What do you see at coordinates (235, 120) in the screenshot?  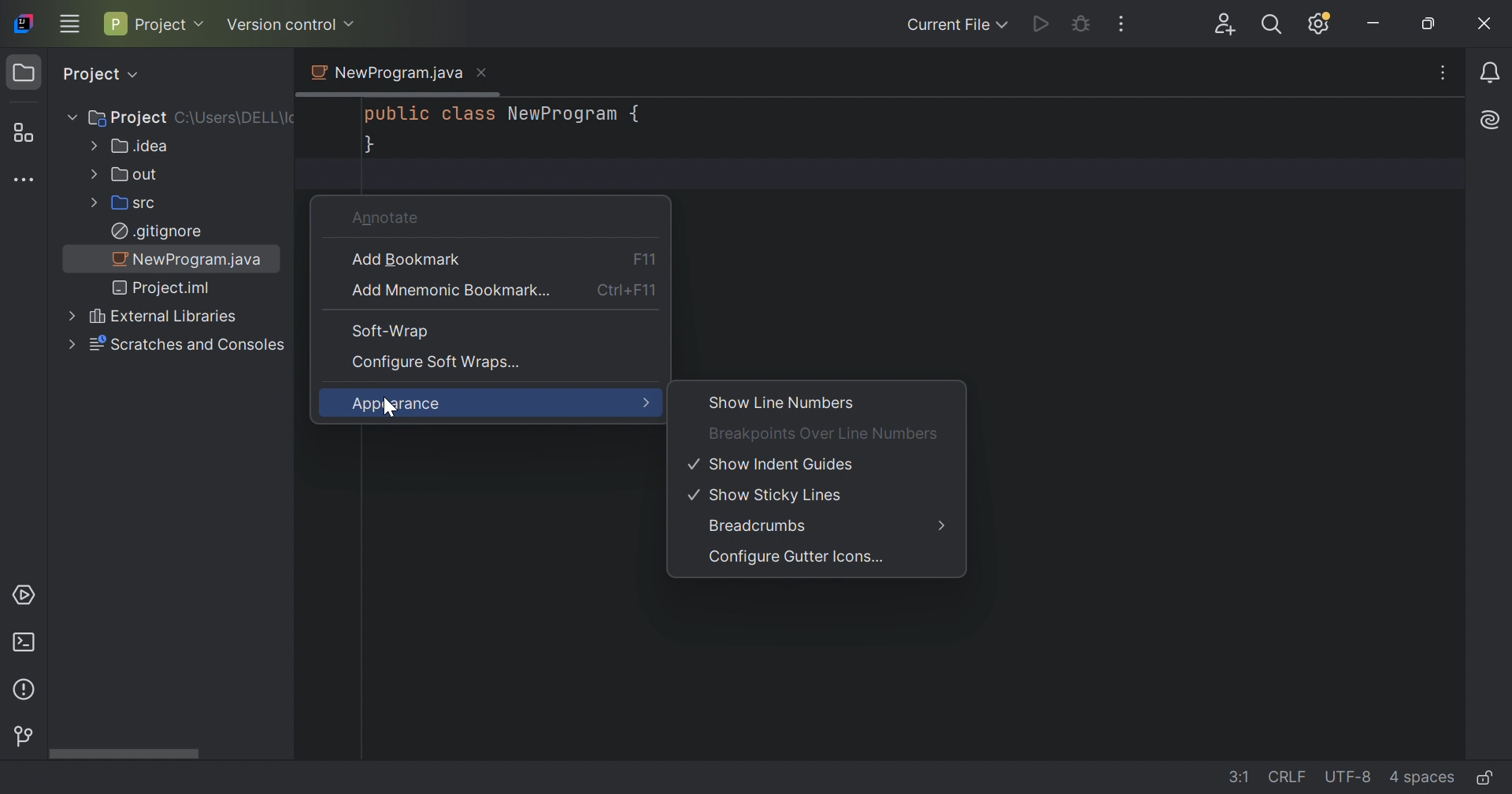 I see `C:\Users\DELL\Id` at bounding box center [235, 120].